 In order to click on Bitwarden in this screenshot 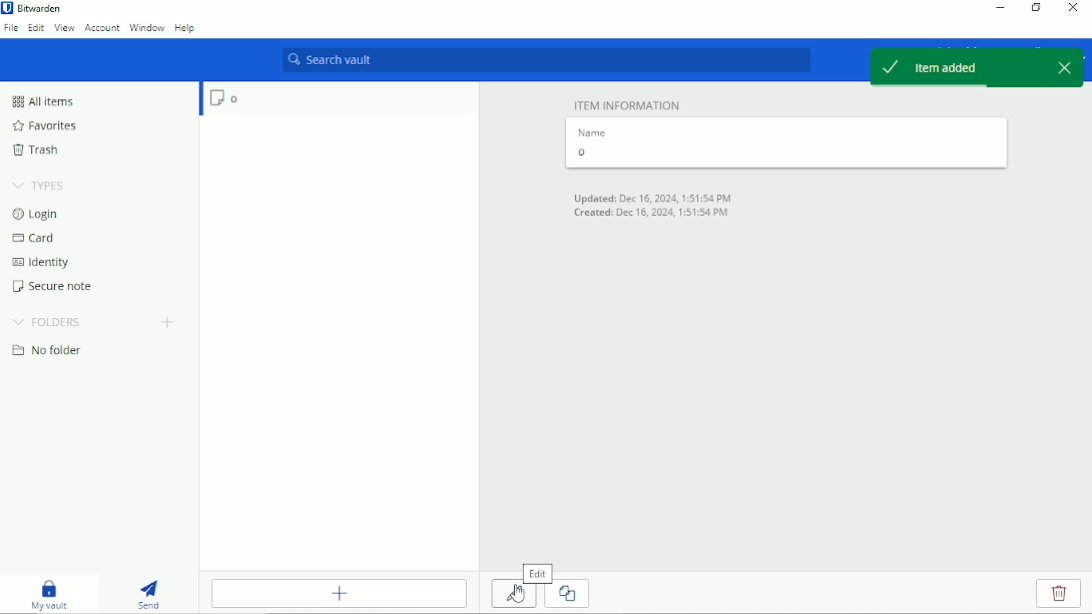, I will do `click(35, 8)`.